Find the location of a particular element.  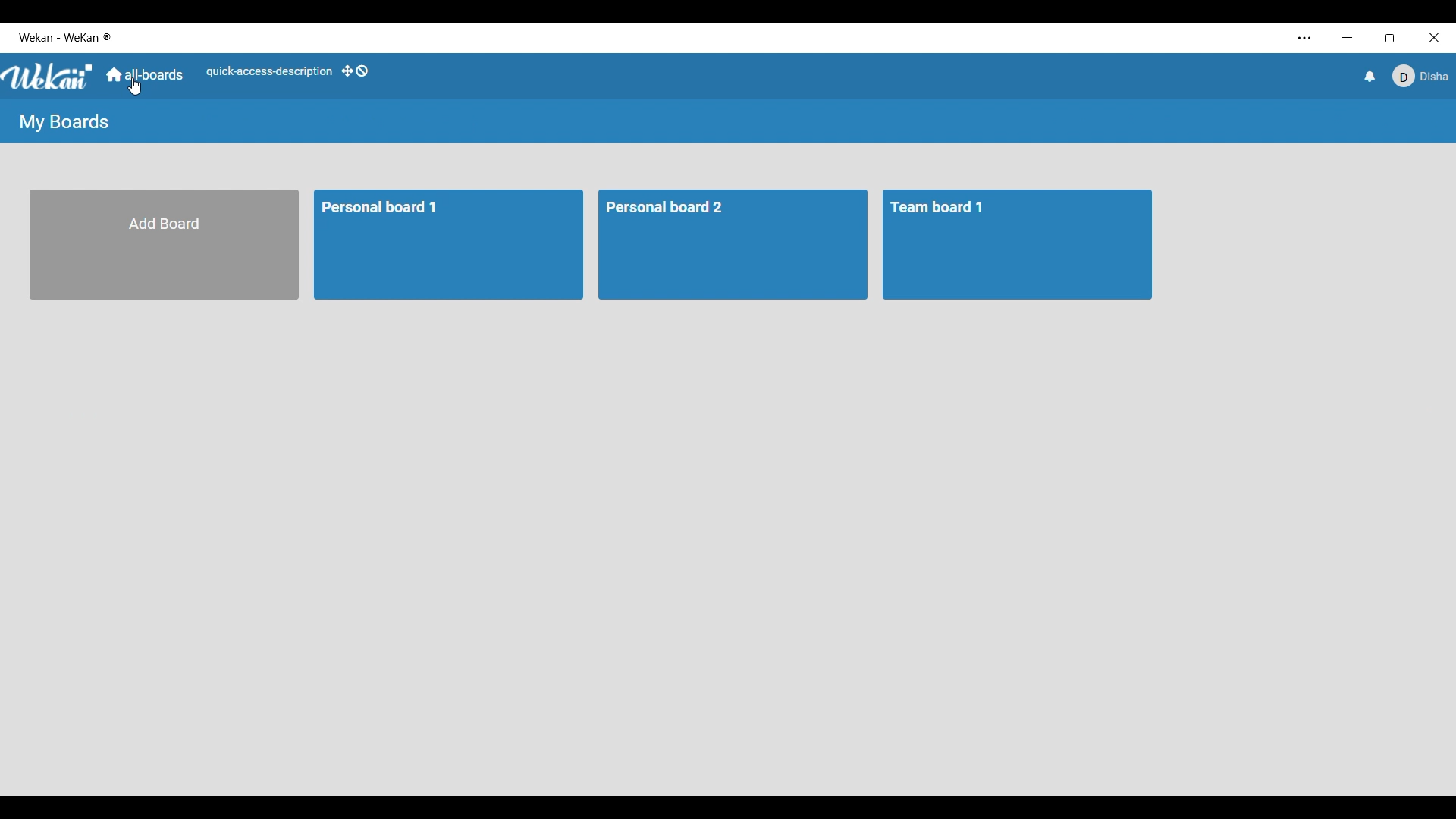

Quick access description is located at coordinates (269, 72).